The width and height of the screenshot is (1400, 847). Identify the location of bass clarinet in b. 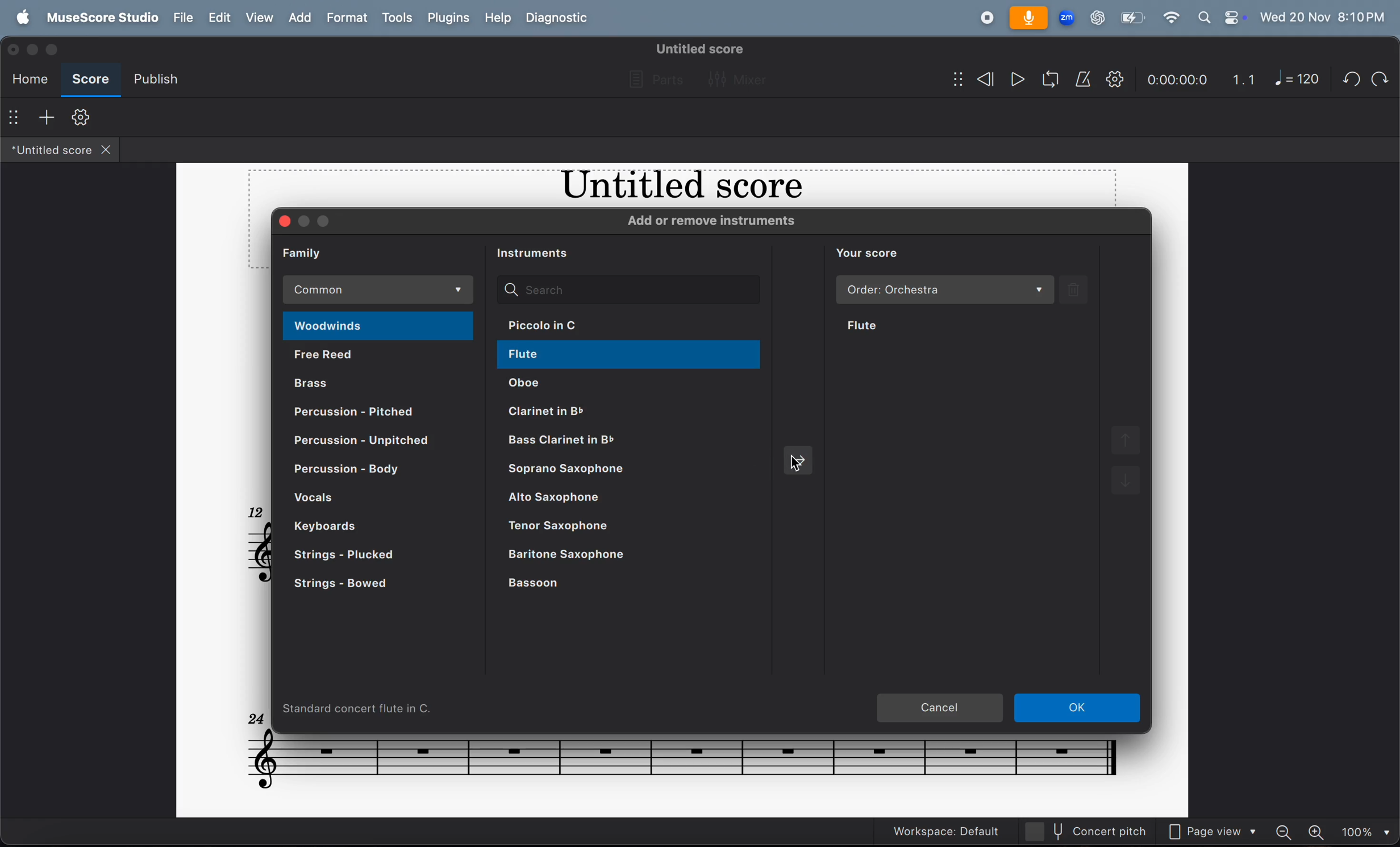
(630, 444).